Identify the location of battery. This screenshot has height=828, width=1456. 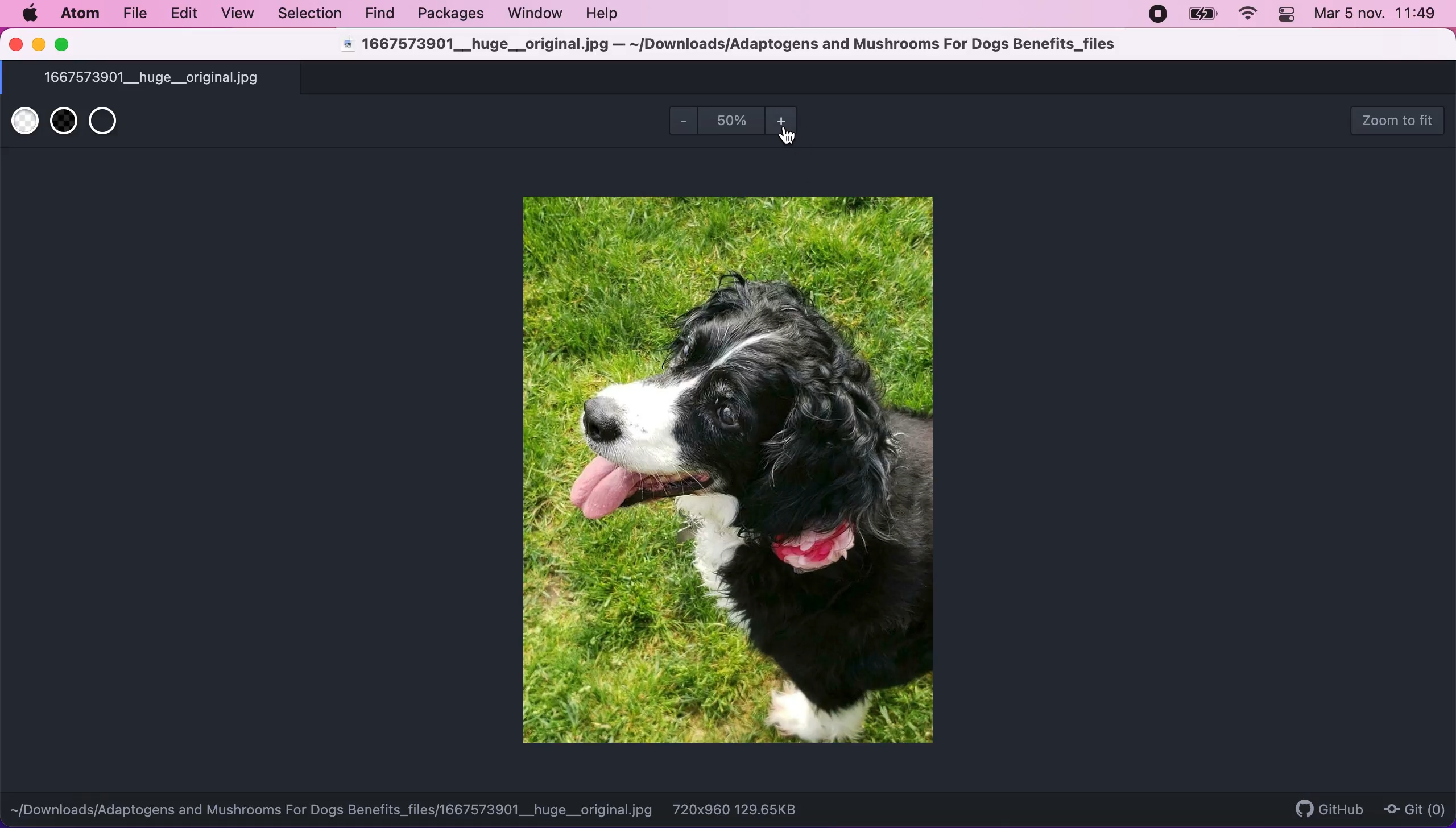
(1205, 15).